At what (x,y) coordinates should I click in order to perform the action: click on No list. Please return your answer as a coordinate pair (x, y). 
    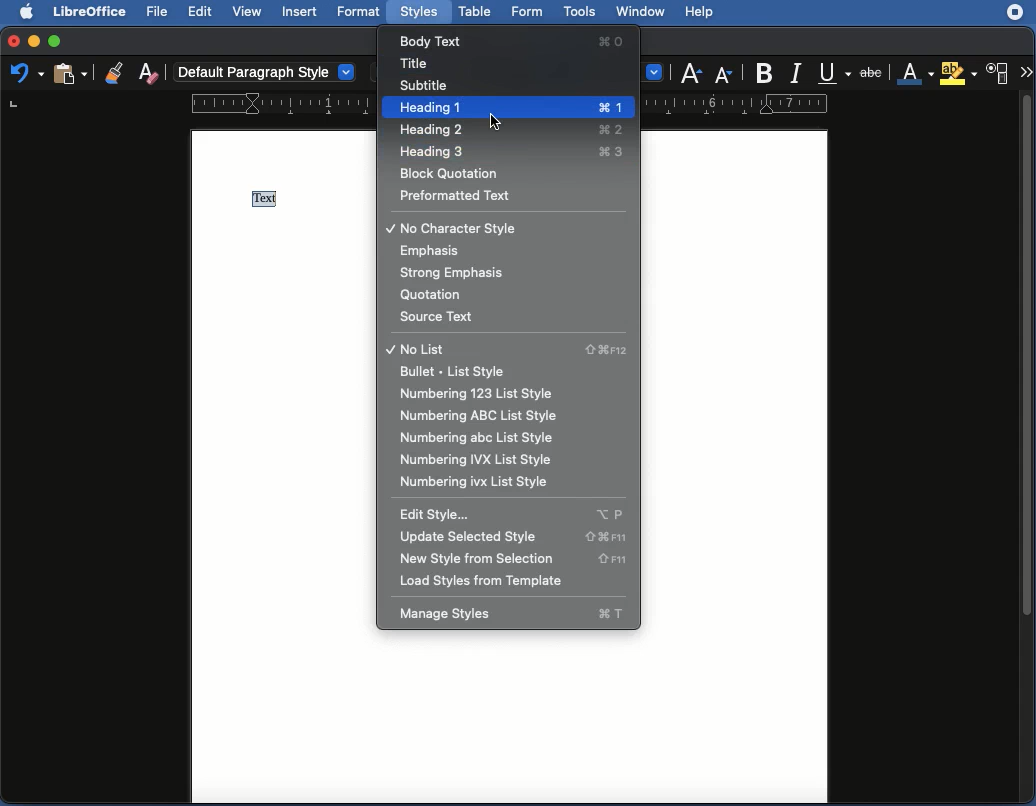
    Looking at the image, I should click on (508, 350).